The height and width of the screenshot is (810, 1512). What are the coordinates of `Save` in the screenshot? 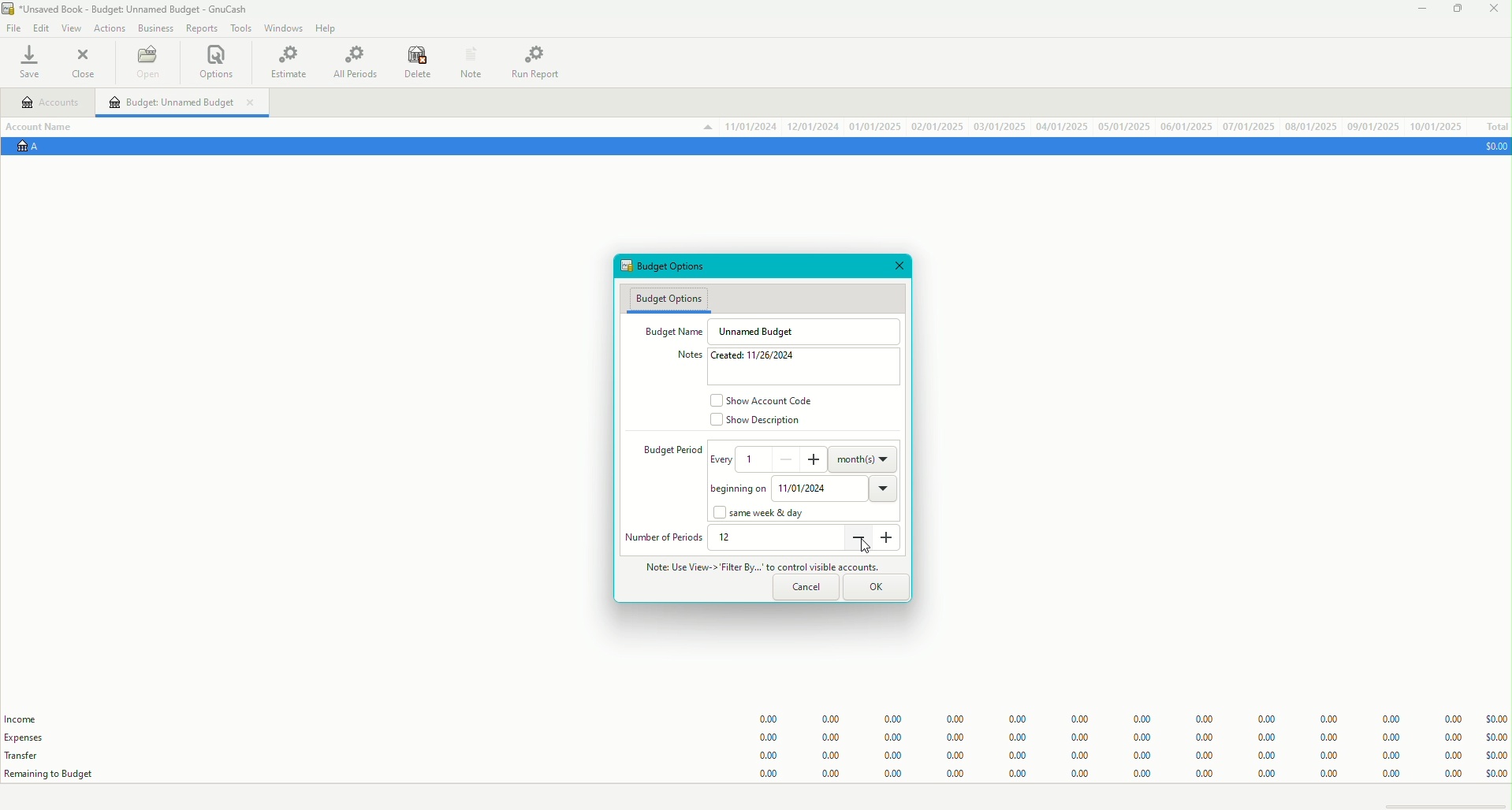 It's located at (34, 64).